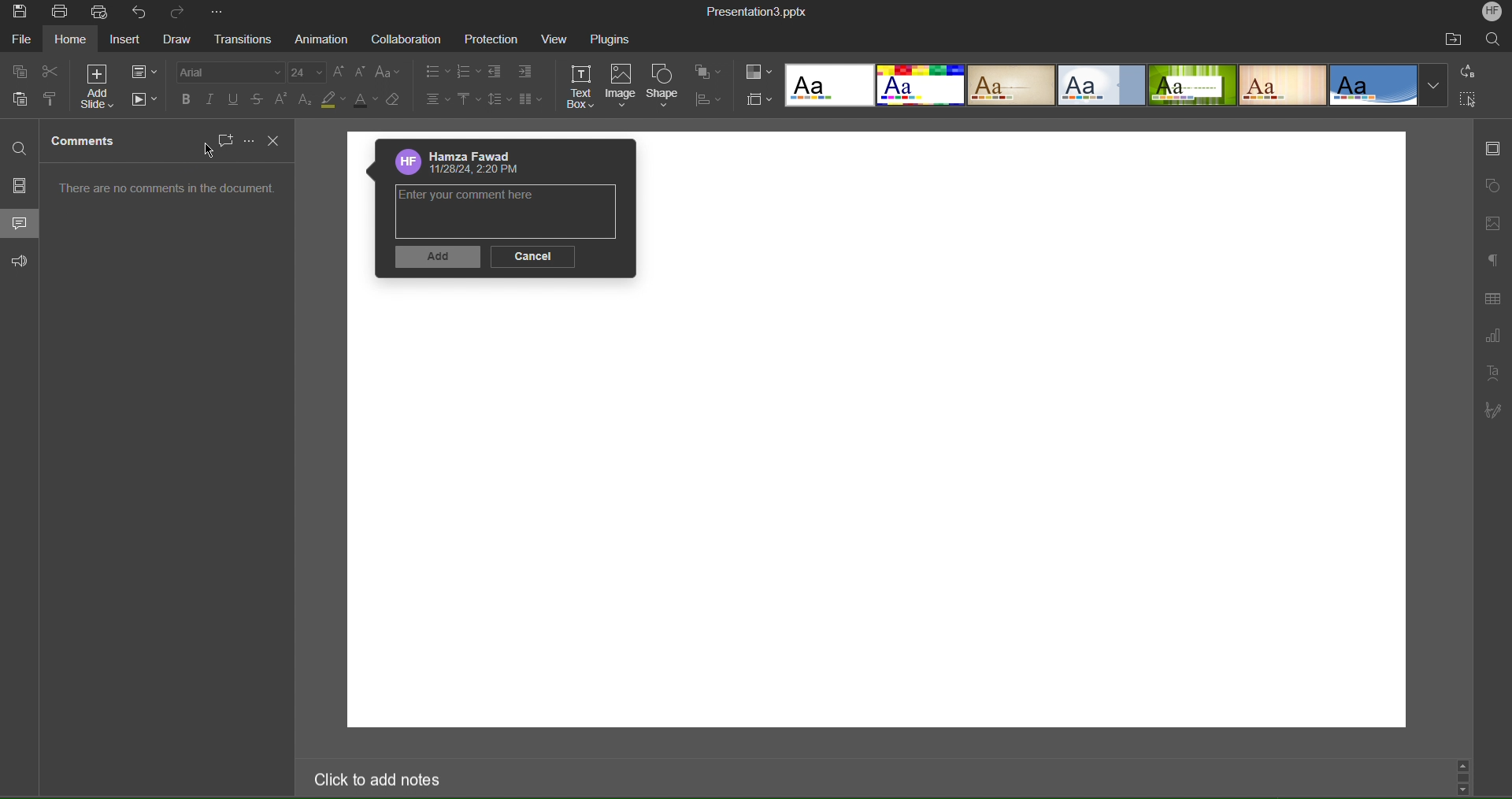 The width and height of the screenshot is (1512, 799). I want to click on New Comment, so click(223, 140).